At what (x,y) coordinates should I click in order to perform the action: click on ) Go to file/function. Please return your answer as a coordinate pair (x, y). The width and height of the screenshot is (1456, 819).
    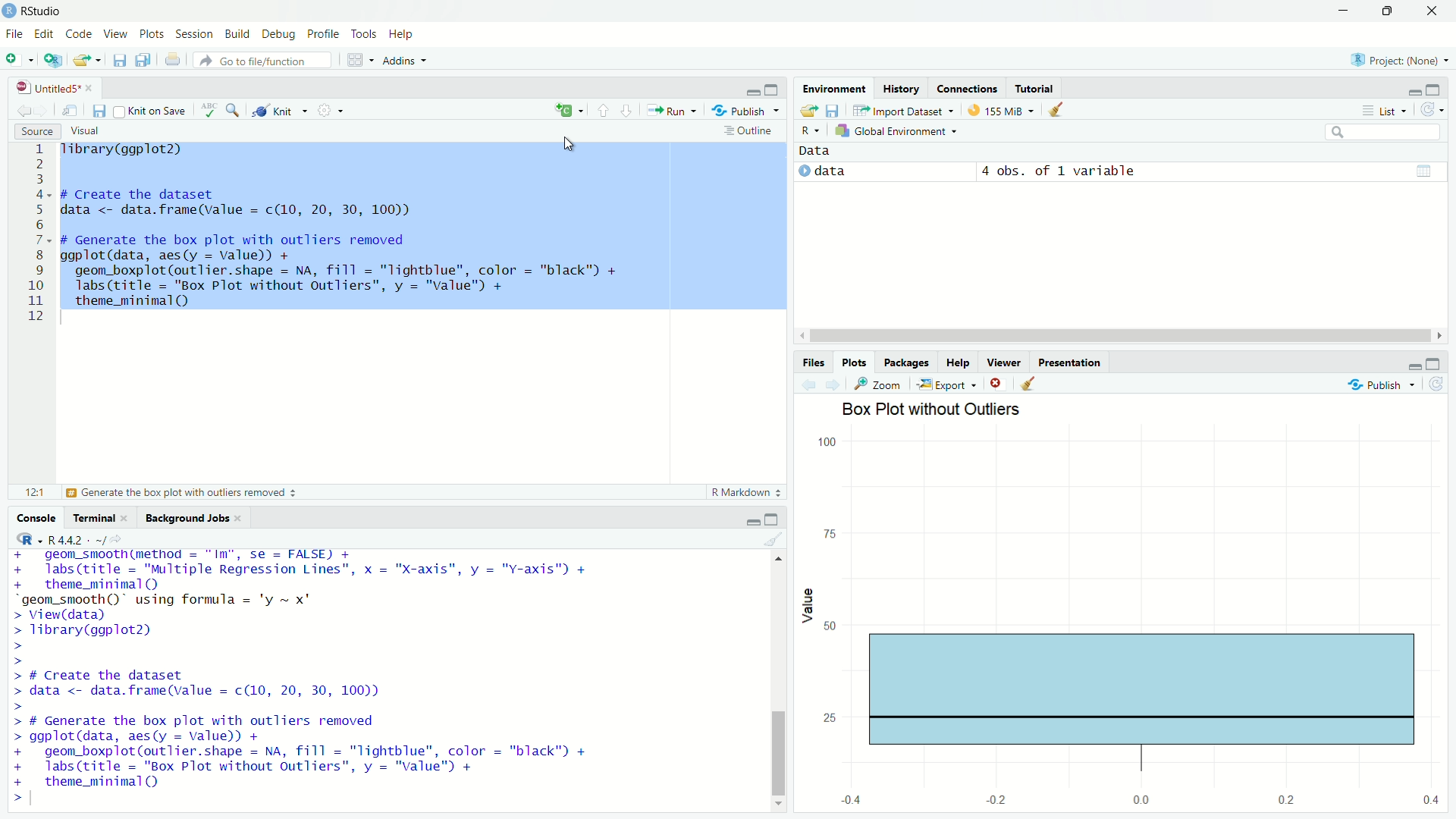
    Looking at the image, I should click on (259, 60).